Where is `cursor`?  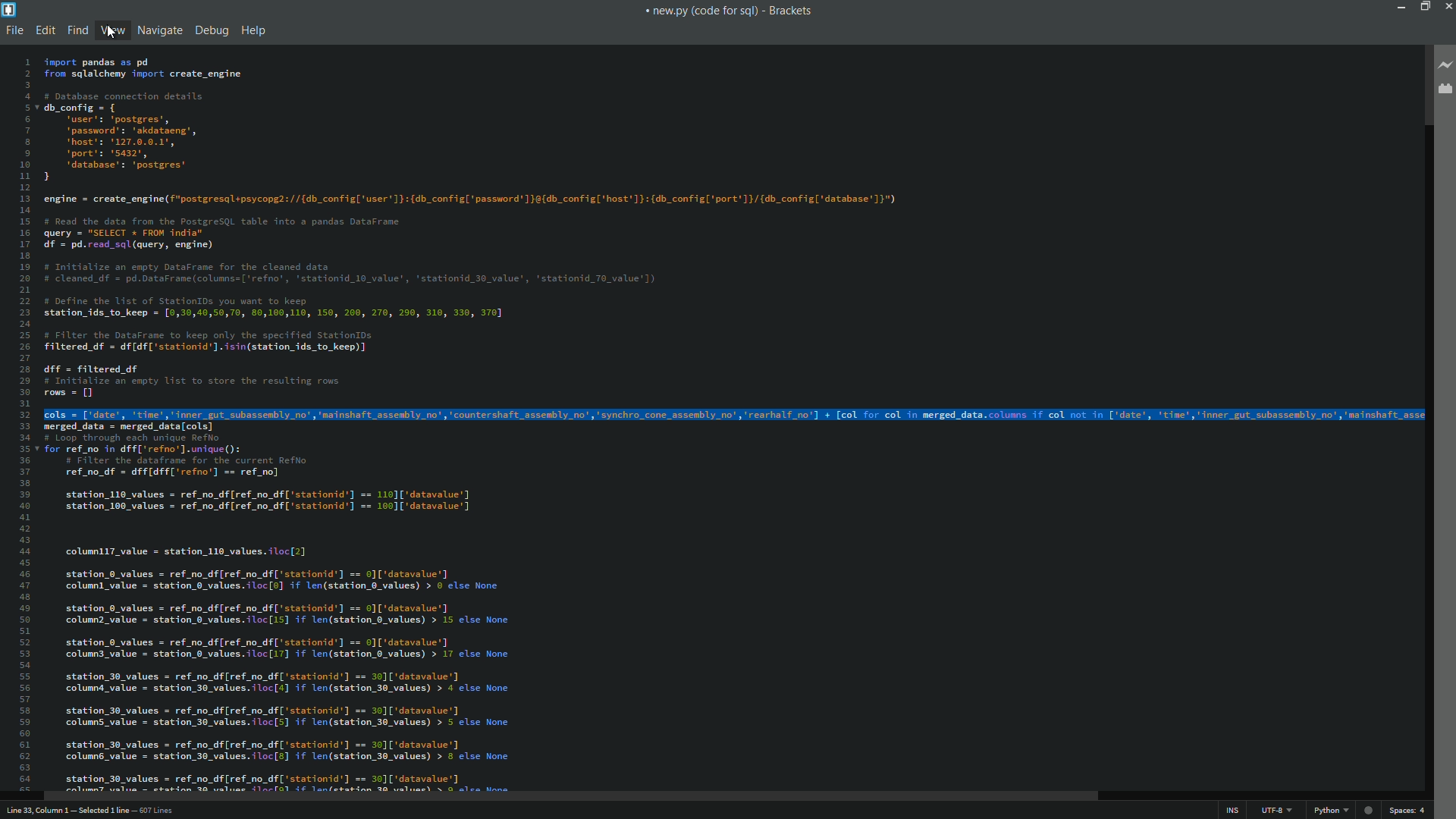 cursor is located at coordinates (111, 32).